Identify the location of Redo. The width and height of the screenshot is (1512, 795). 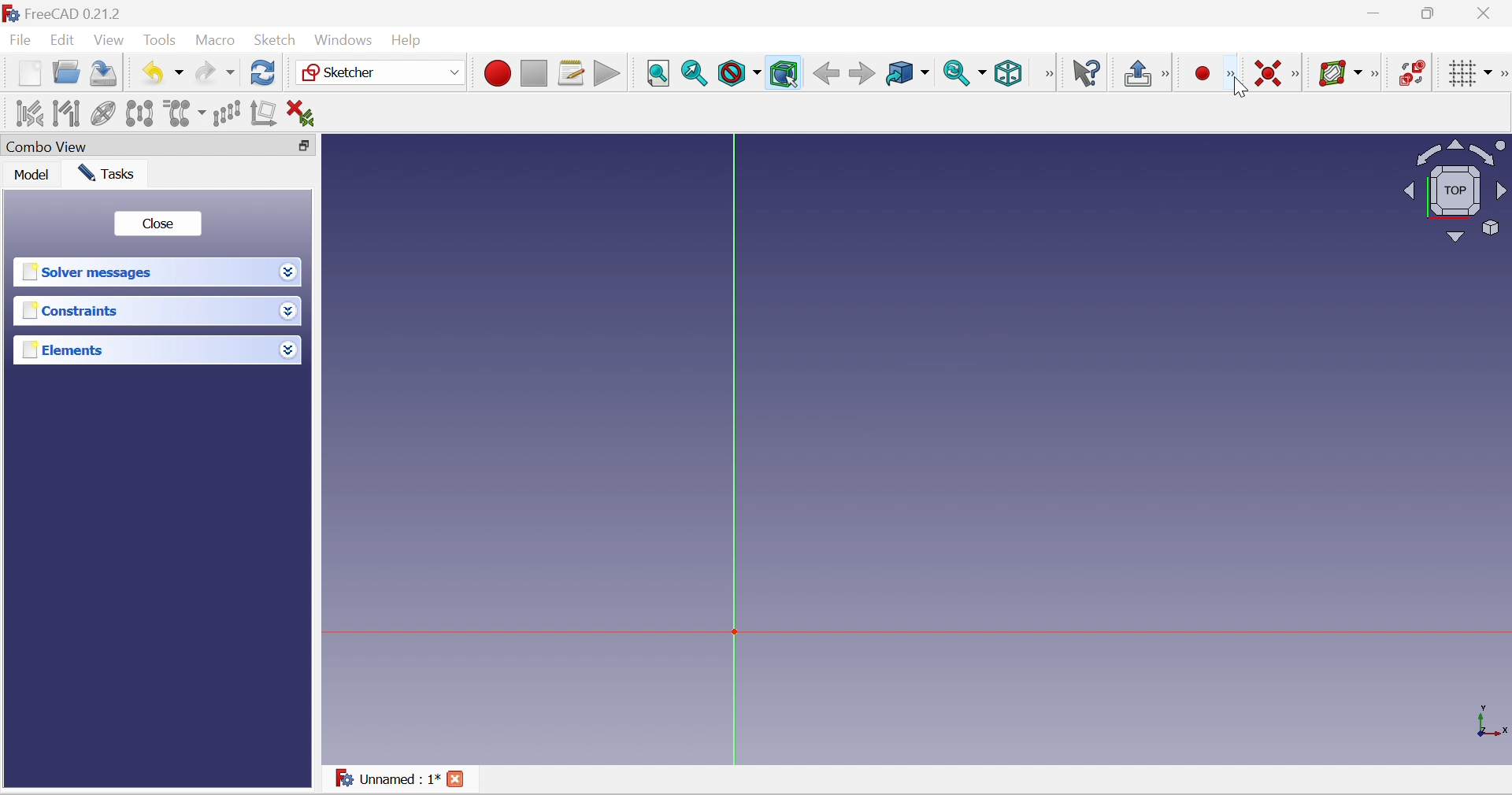
(215, 75).